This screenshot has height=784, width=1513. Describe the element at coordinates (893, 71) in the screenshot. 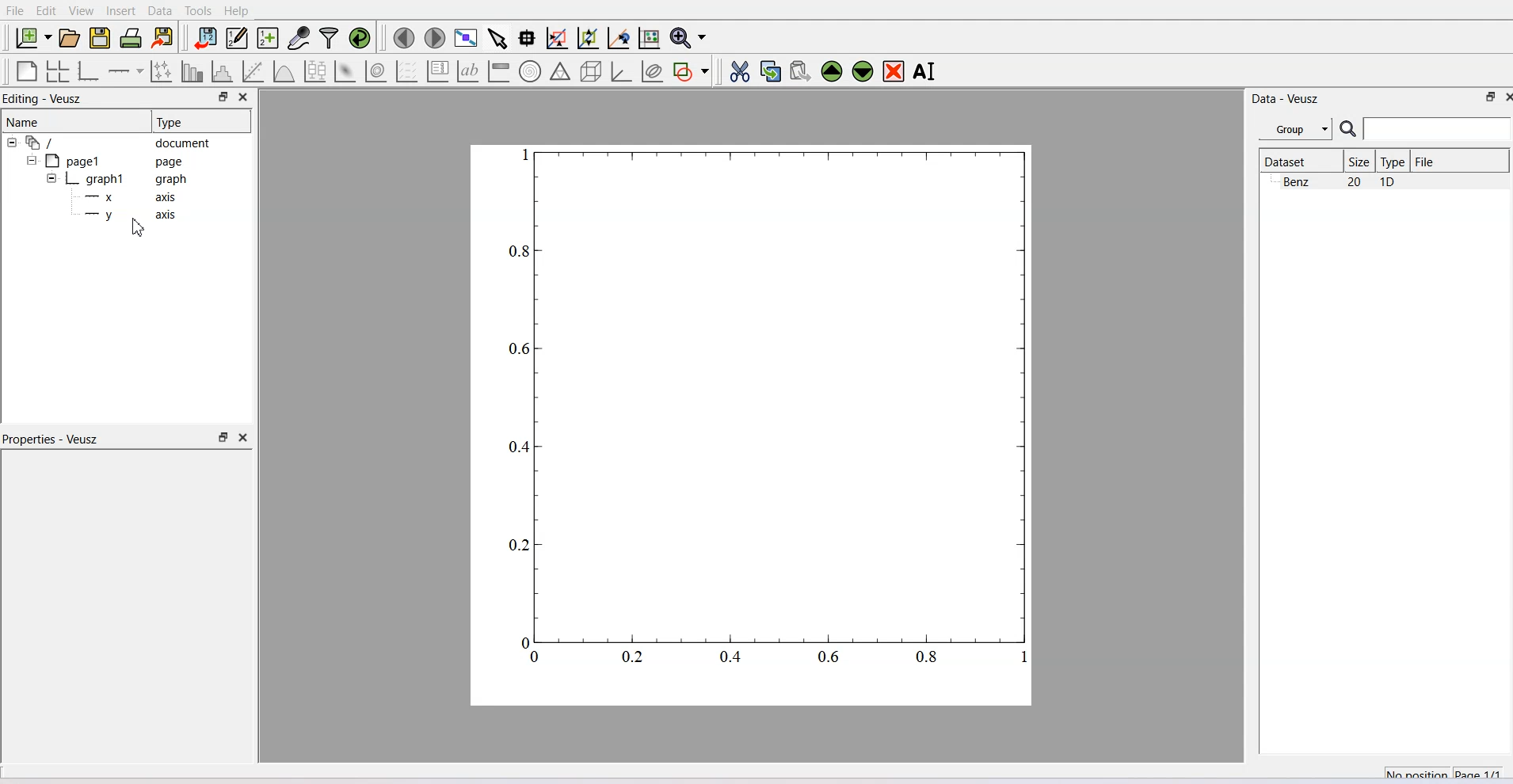

I see `Remove the selected widget` at that location.